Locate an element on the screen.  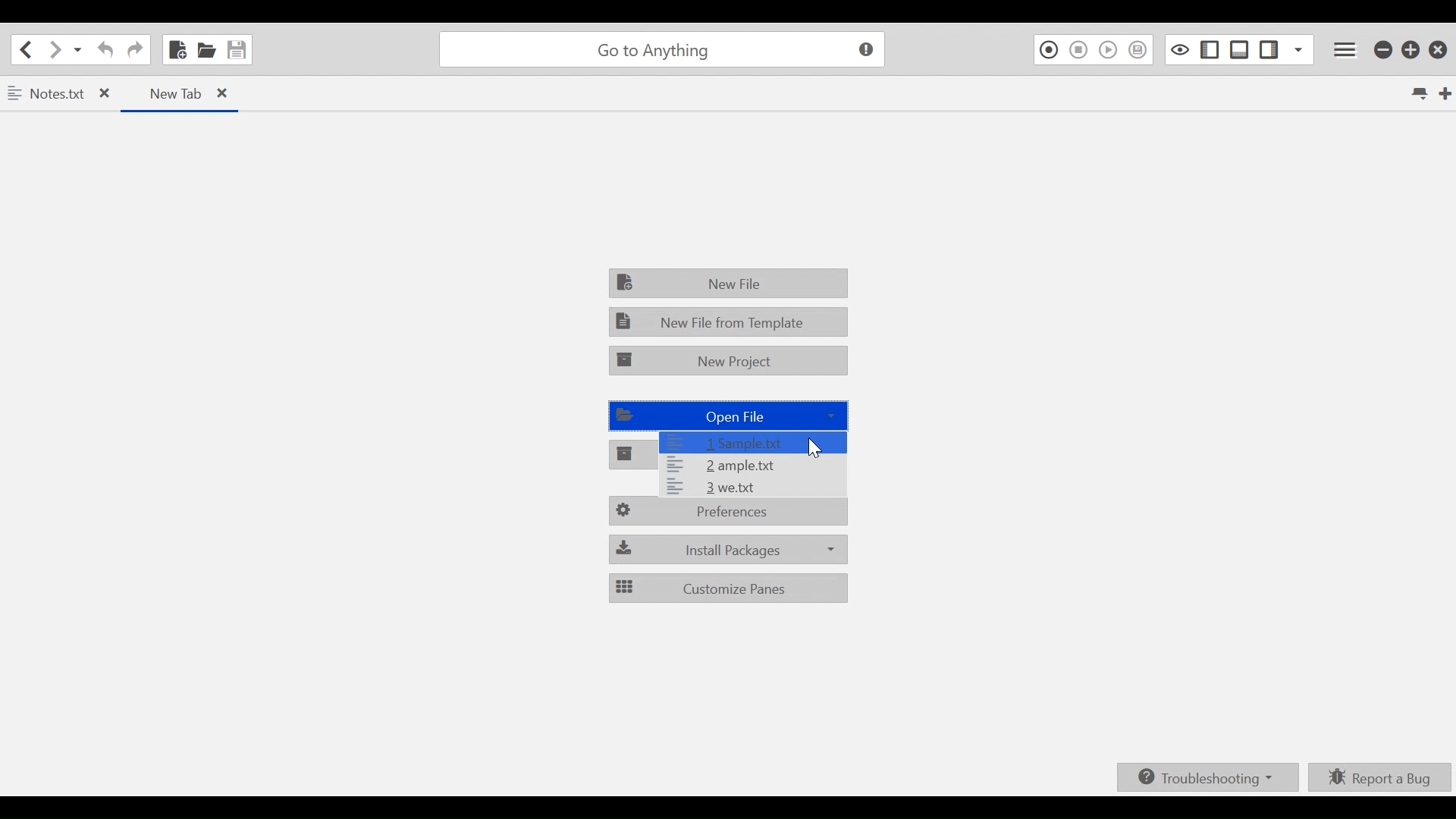
Redo is located at coordinates (135, 49).